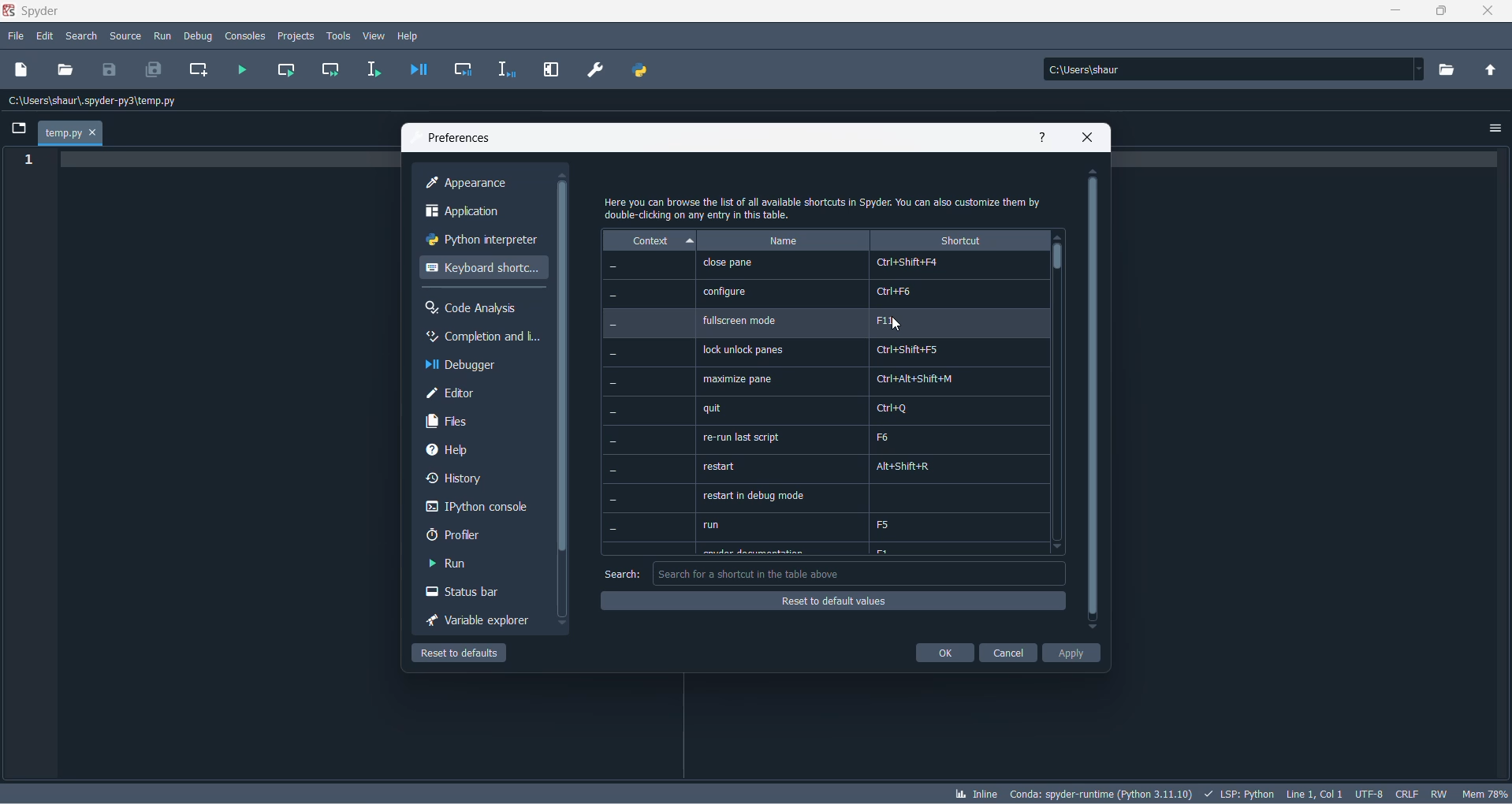 The image size is (1512, 804). I want to click on name heading, so click(781, 240).